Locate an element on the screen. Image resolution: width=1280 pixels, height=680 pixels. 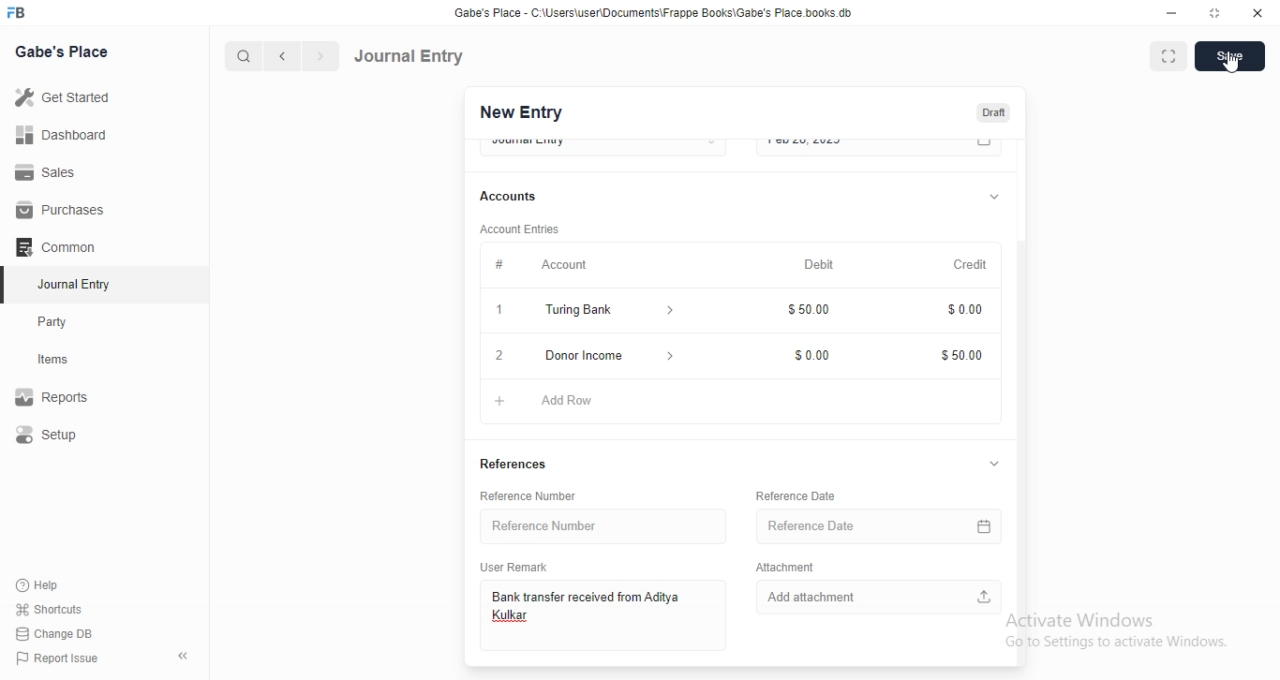
Reports is located at coordinates (65, 399).